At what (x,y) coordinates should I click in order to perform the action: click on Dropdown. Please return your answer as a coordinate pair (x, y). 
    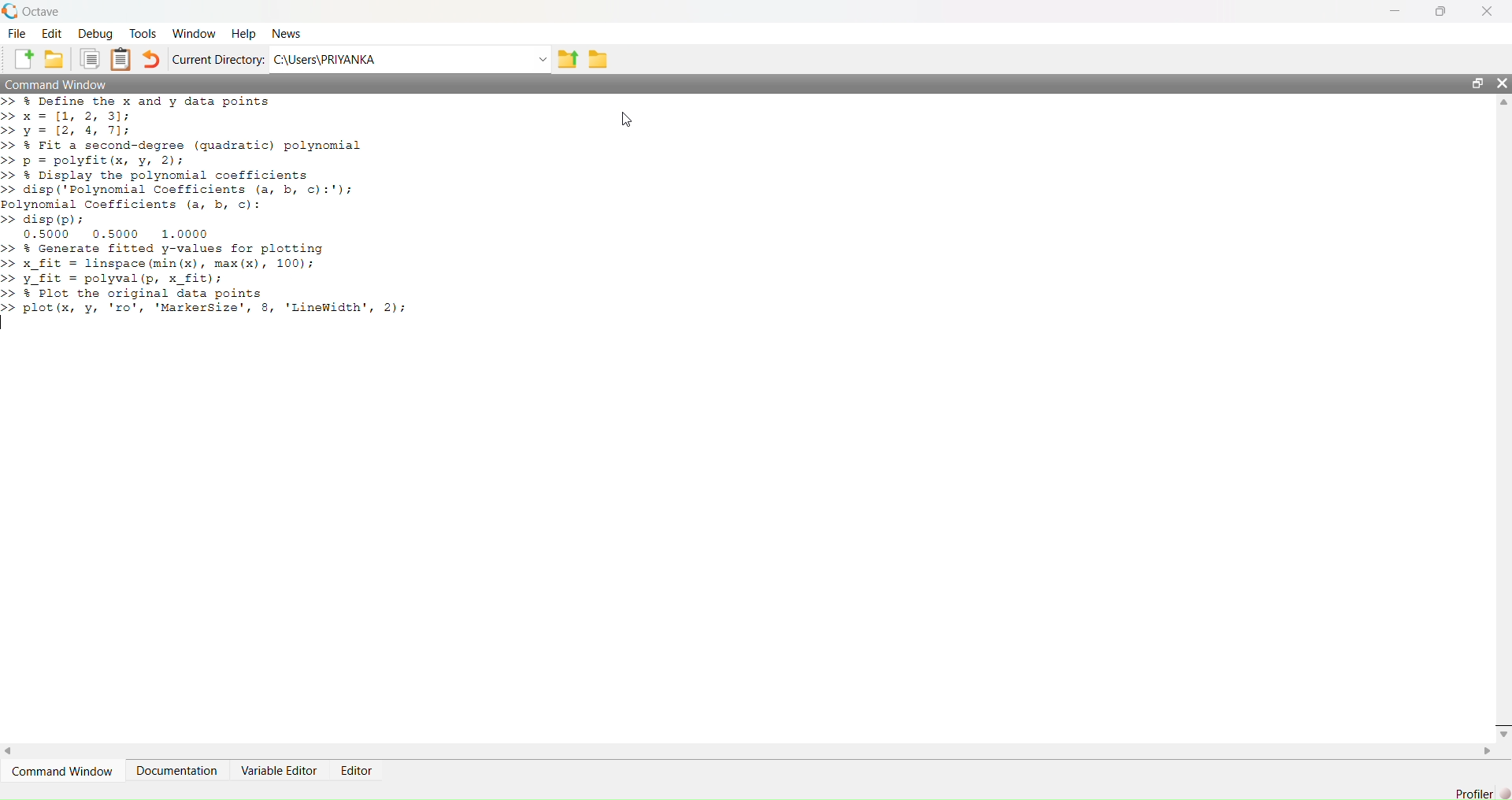
    Looking at the image, I should click on (543, 59).